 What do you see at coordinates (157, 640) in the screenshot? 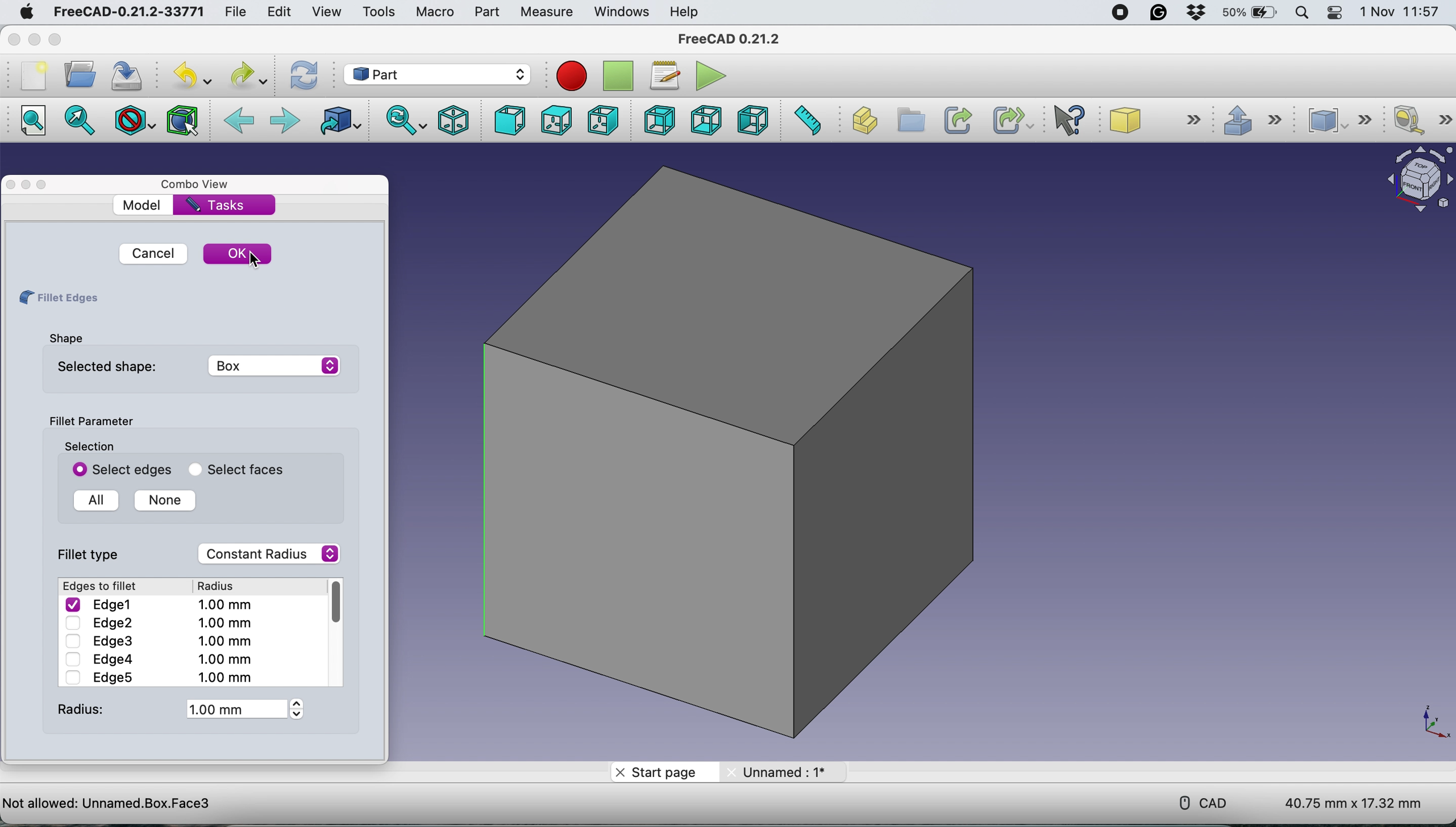
I see `Edge3` at bounding box center [157, 640].